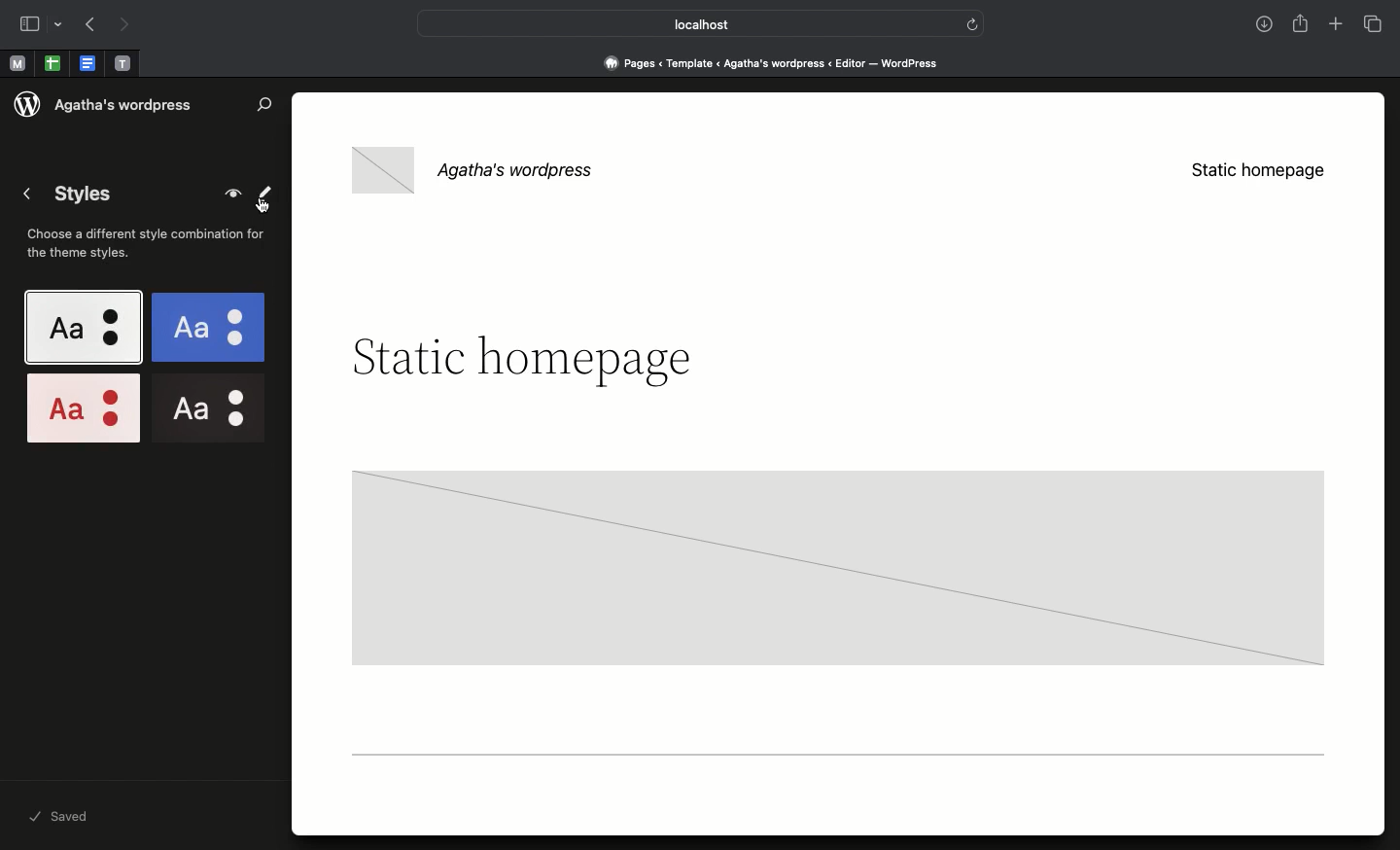  I want to click on Instructional text, so click(153, 247).